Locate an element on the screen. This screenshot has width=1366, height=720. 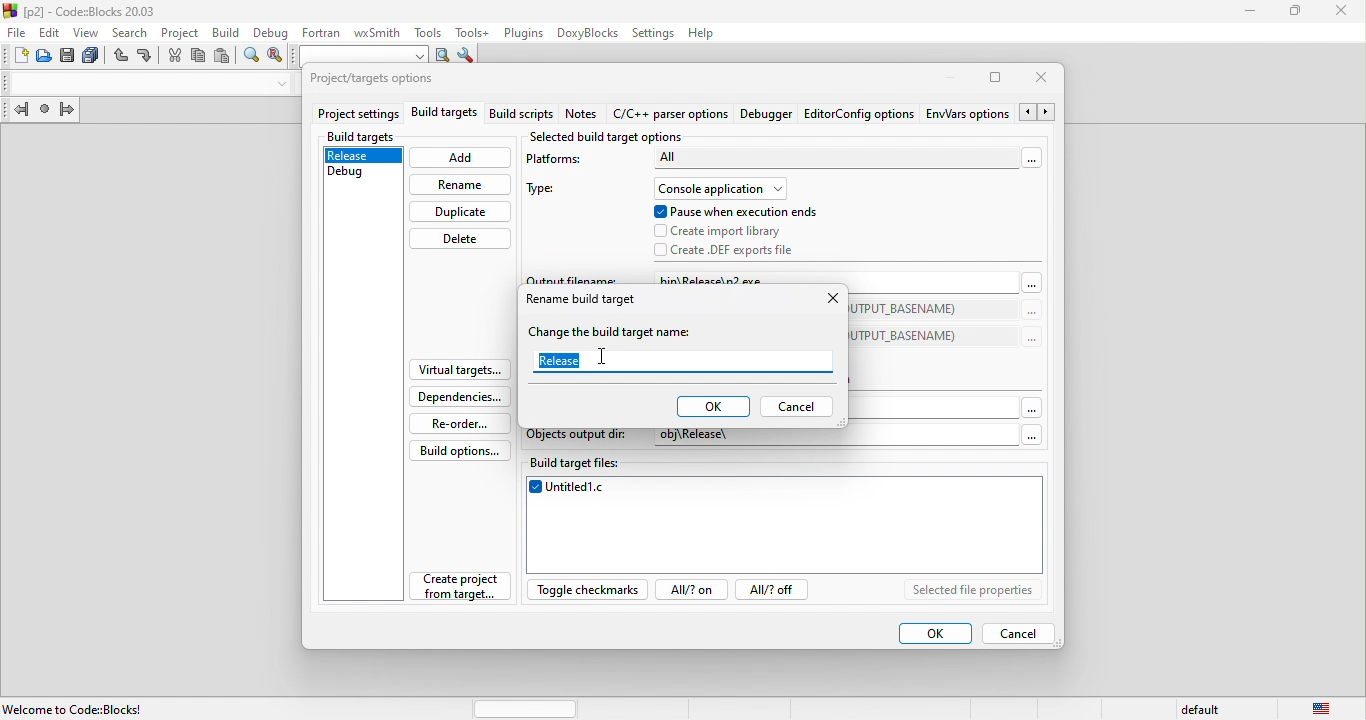
view is located at coordinates (89, 32).